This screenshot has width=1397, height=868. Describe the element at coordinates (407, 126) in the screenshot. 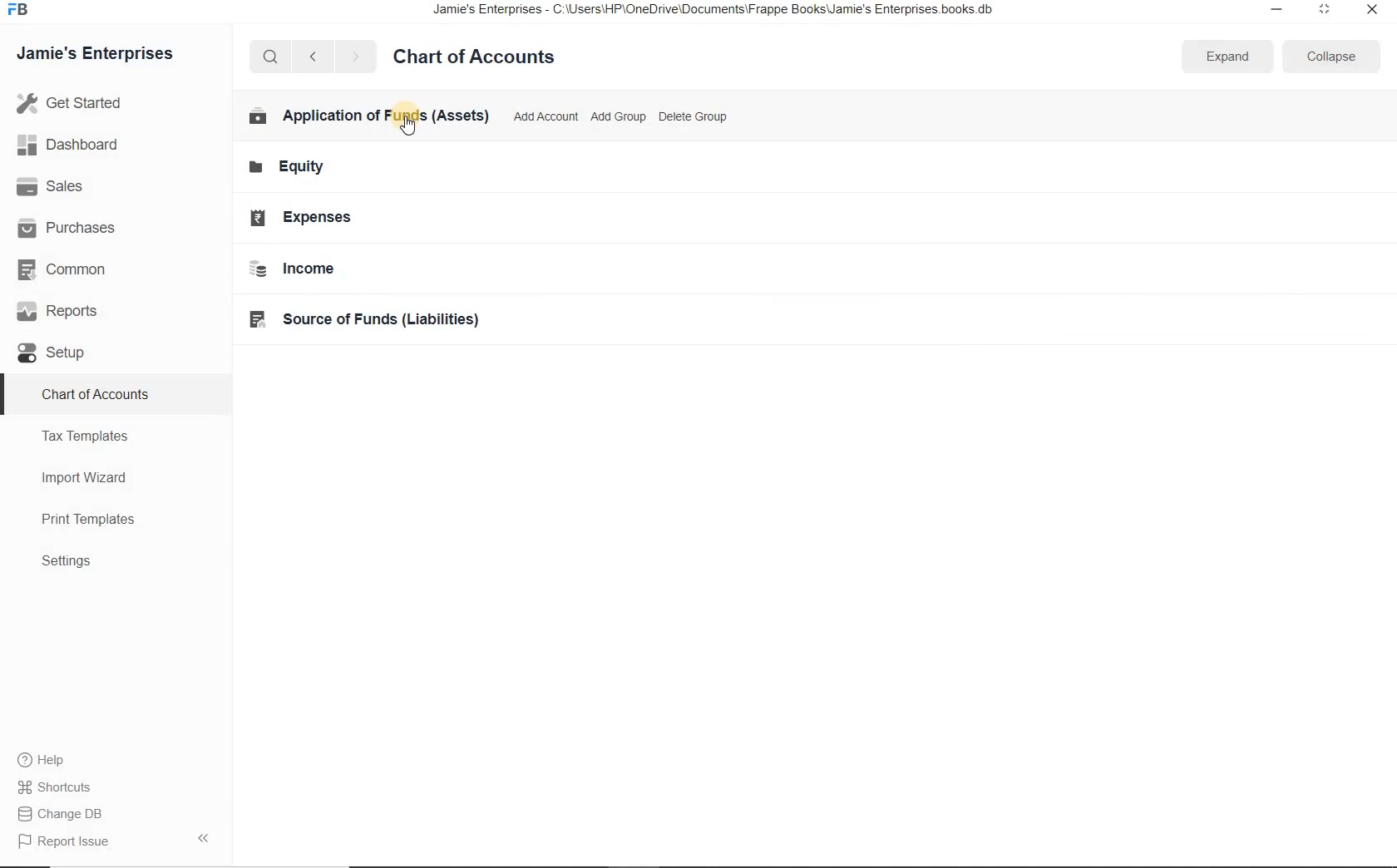

I see `cursor` at that location.